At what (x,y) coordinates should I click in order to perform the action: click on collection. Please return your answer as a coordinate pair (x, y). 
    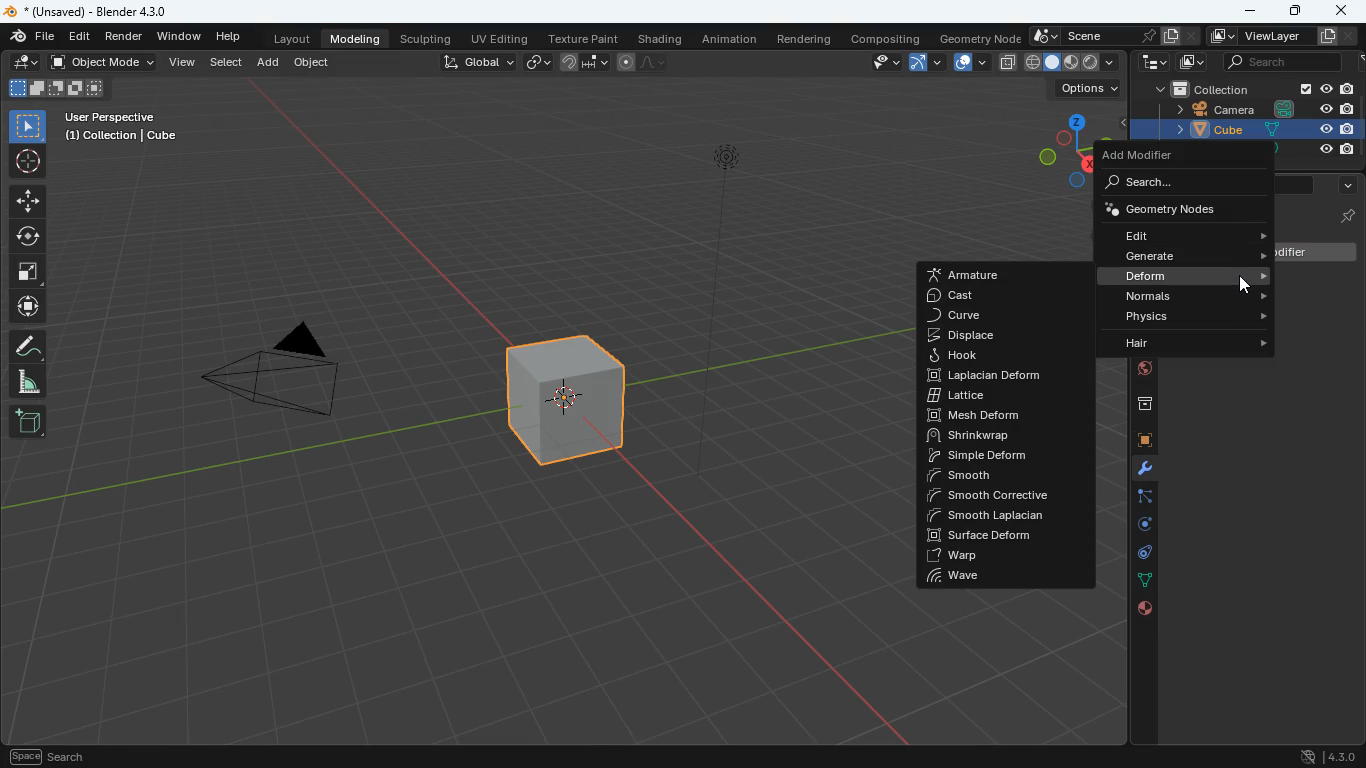
    Looking at the image, I should click on (1252, 89).